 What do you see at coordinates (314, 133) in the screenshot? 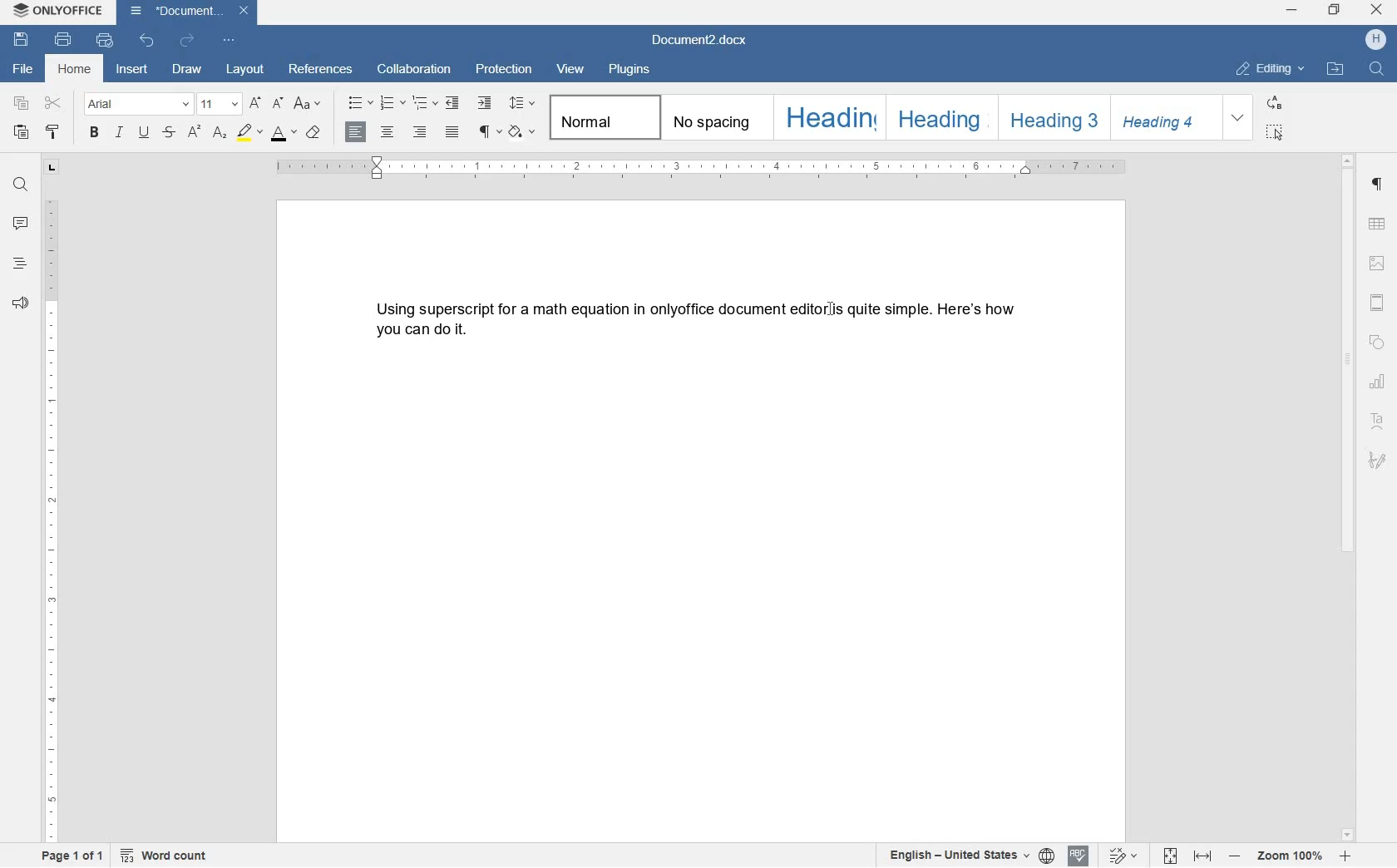
I see `clear style` at bounding box center [314, 133].